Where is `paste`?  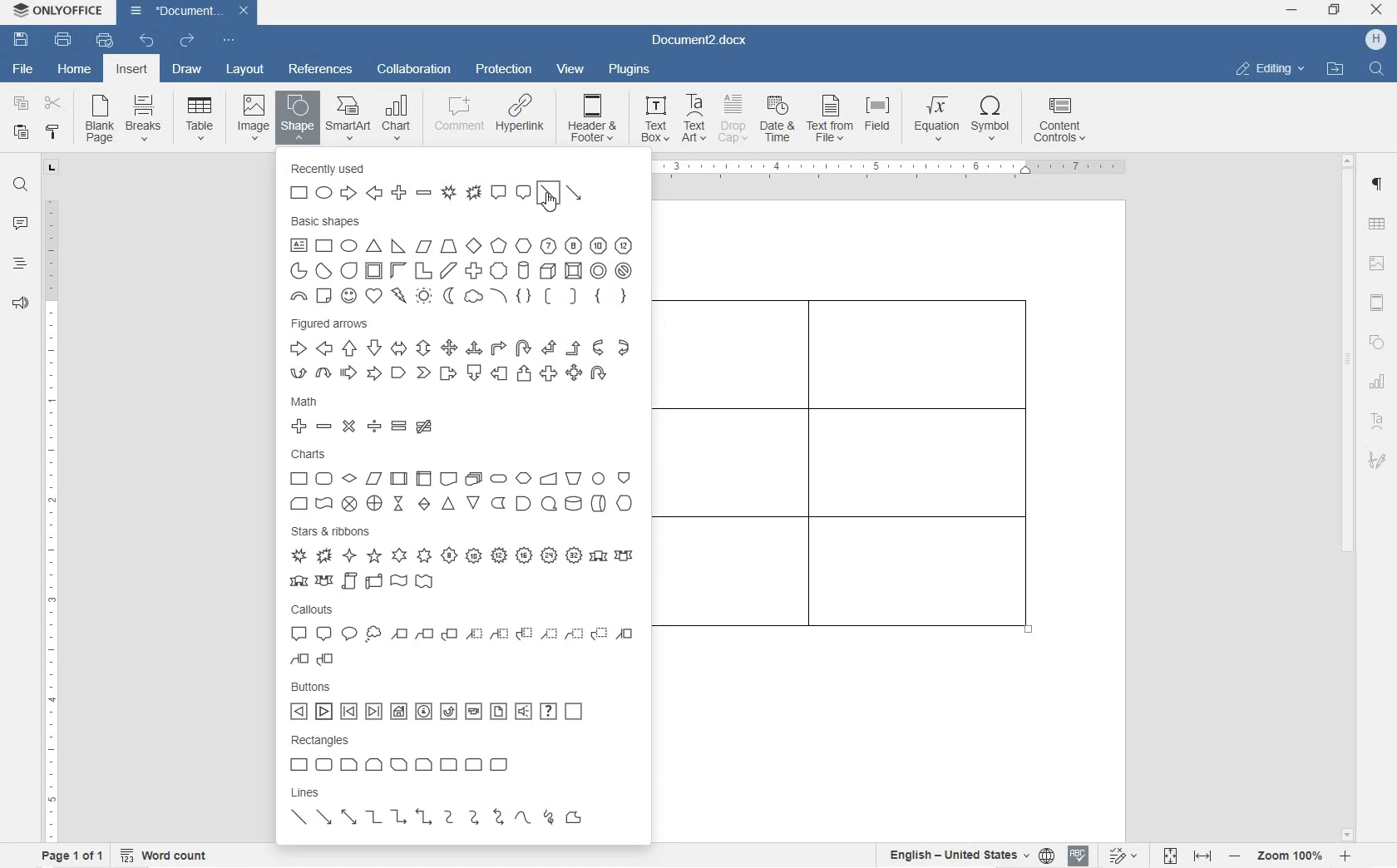 paste is located at coordinates (22, 132).